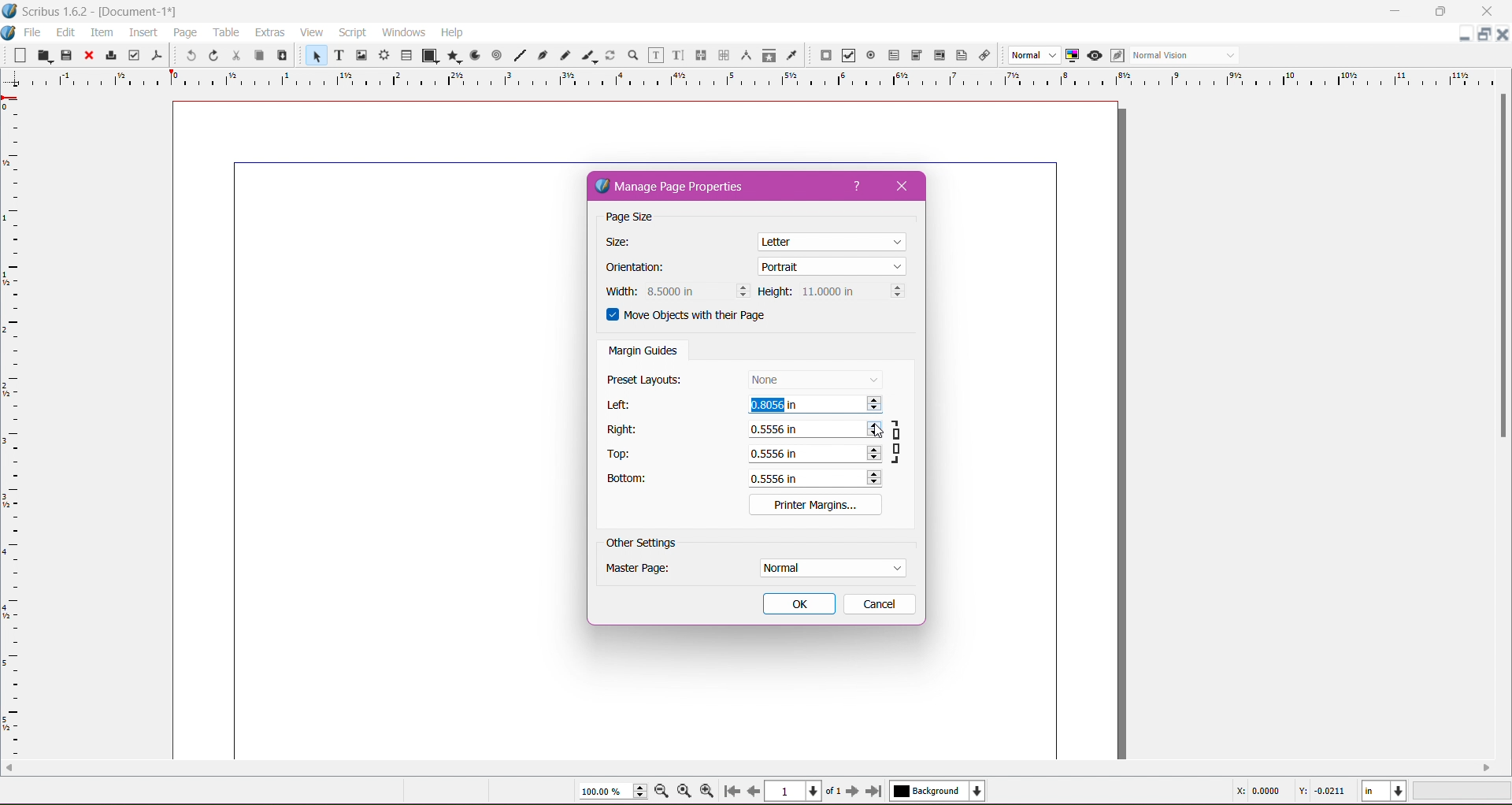 Image resolution: width=1512 pixels, height=805 pixels. What do you see at coordinates (632, 56) in the screenshot?
I see `Zoom In or Out` at bounding box center [632, 56].